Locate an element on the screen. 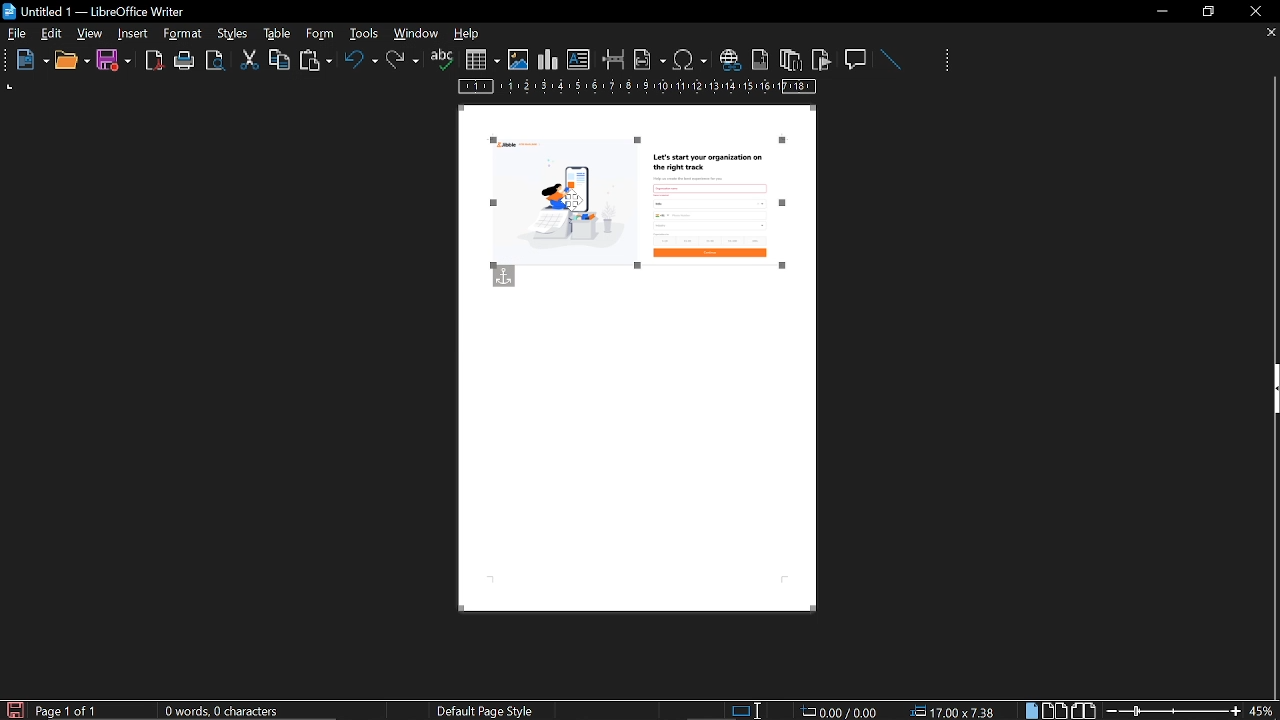 The width and height of the screenshot is (1280, 720). current zoom is located at coordinates (1263, 710).